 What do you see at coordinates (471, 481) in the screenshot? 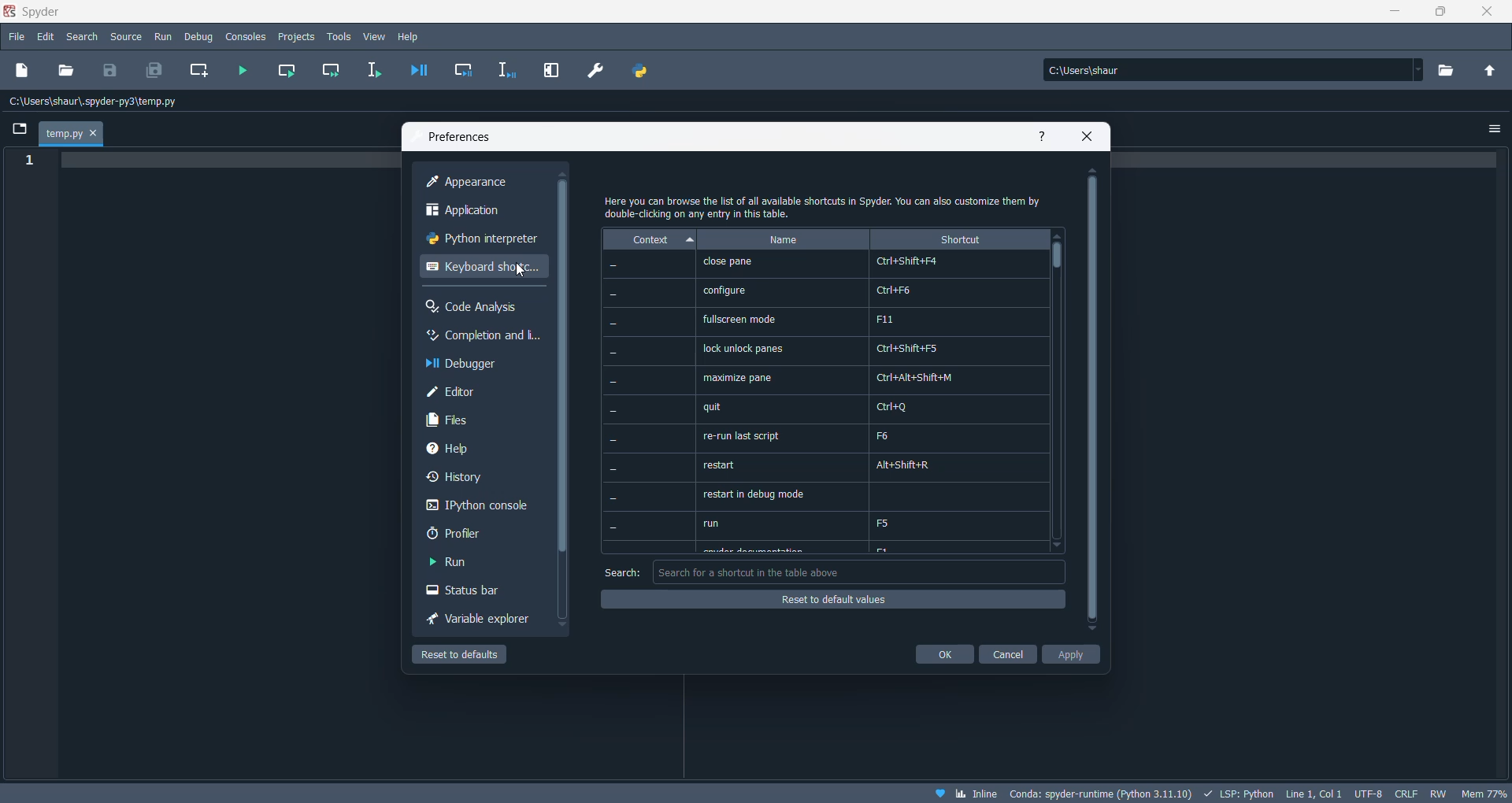
I see `history` at bounding box center [471, 481].